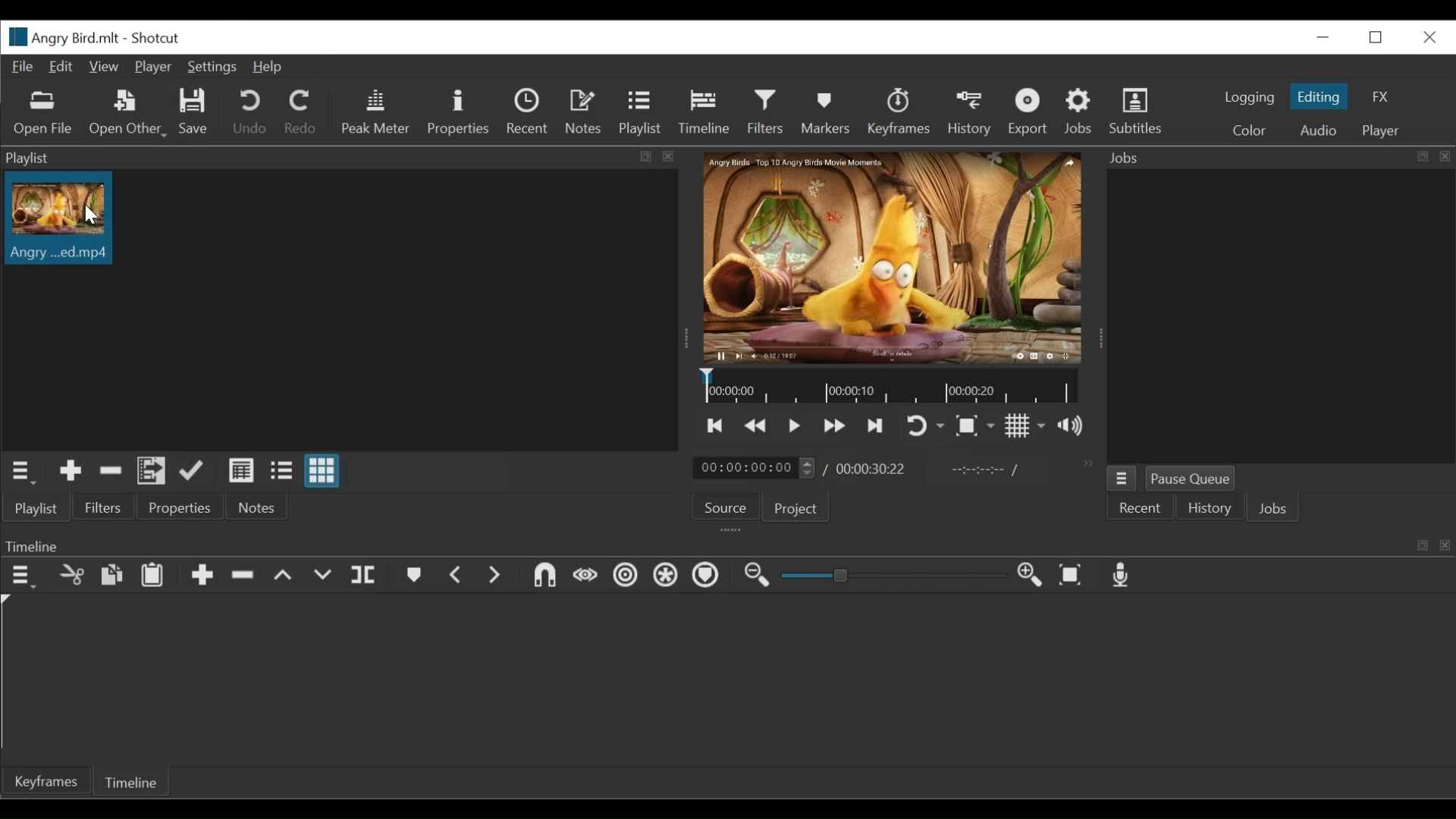 The image size is (1456, 819). Describe the element at coordinates (759, 576) in the screenshot. I see `zoom timeline out` at that location.